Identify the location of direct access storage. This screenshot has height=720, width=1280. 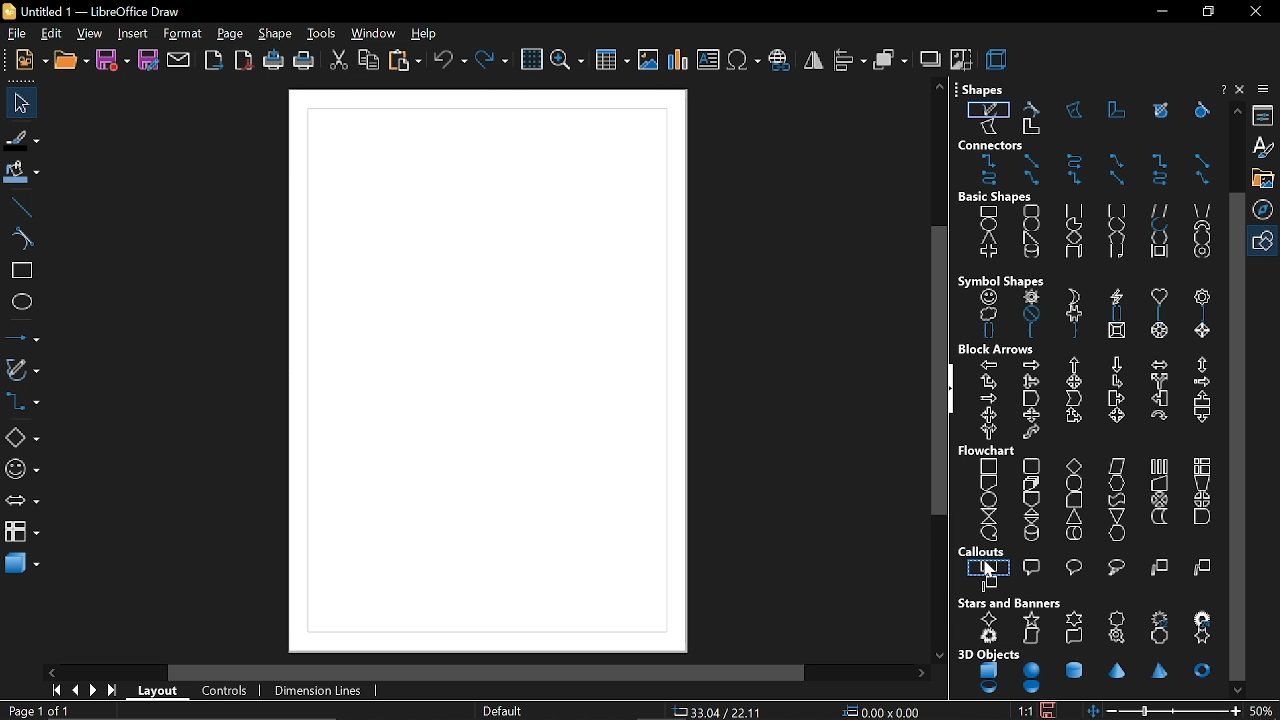
(1073, 534).